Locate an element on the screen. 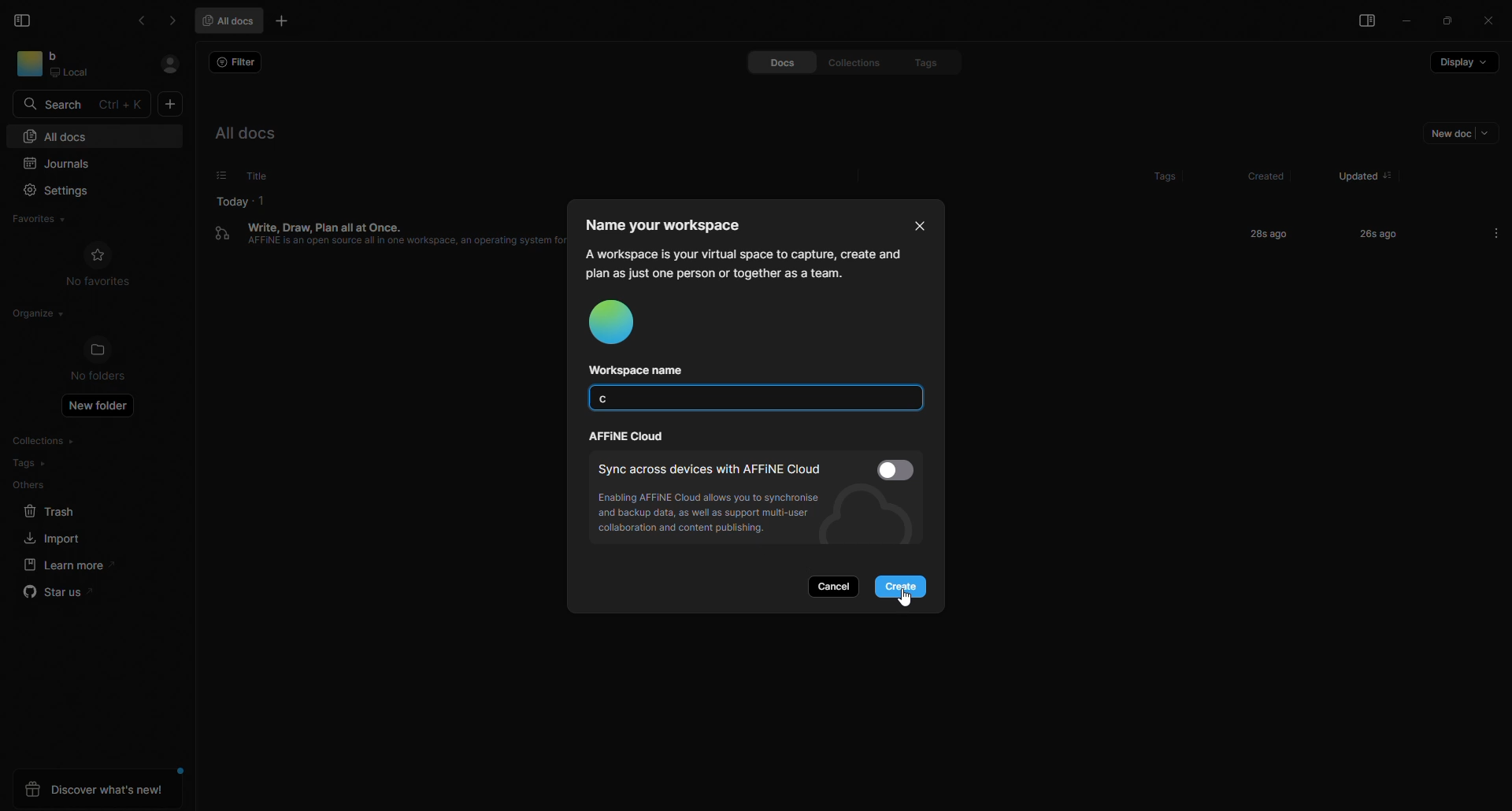 The height and width of the screenshot is (811, 1512). collapse sidebar is located at coordinates (24, 20).